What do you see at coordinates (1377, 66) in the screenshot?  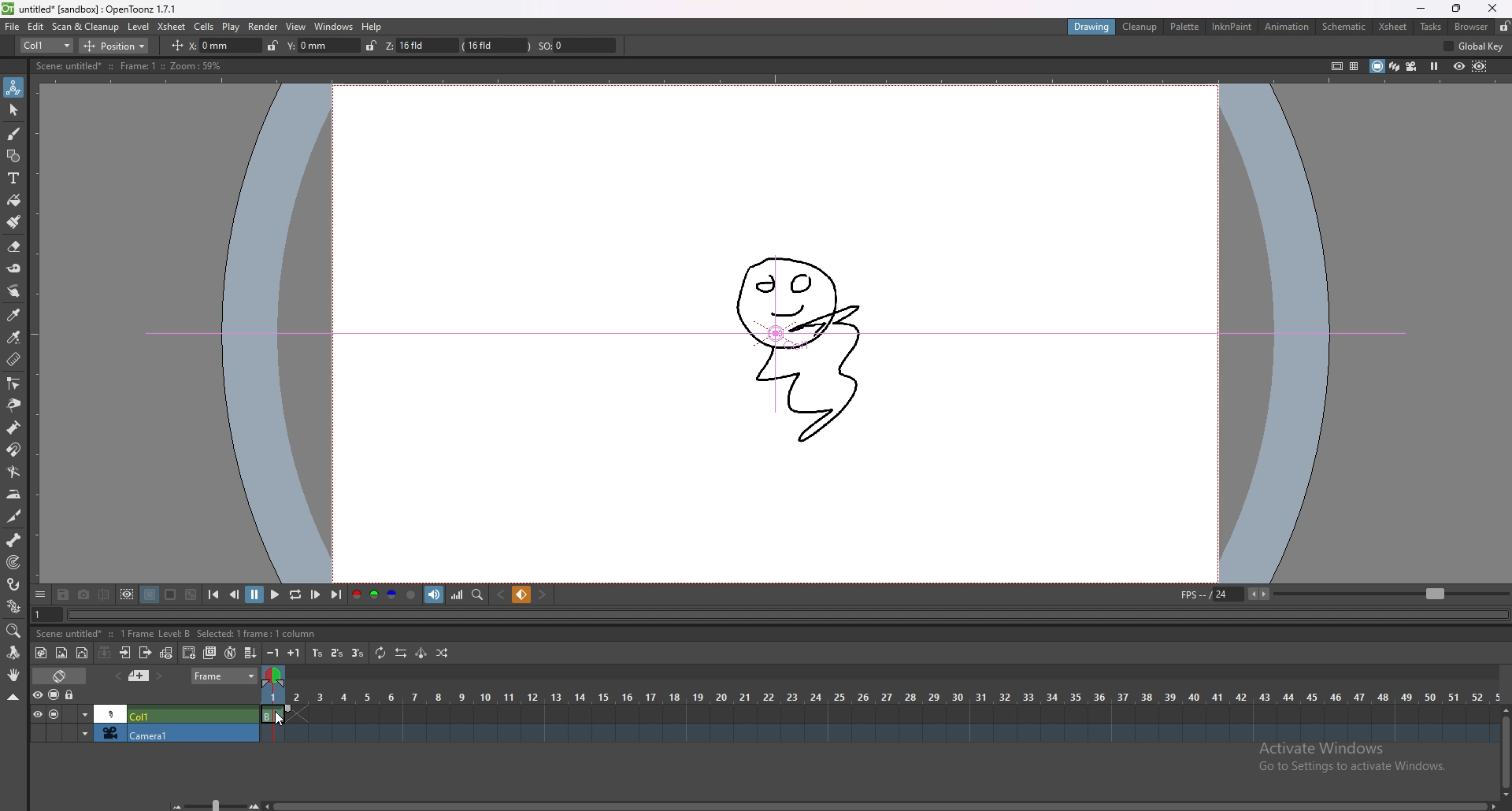 I see `camera stand view` at bounding box center [1377, 66].